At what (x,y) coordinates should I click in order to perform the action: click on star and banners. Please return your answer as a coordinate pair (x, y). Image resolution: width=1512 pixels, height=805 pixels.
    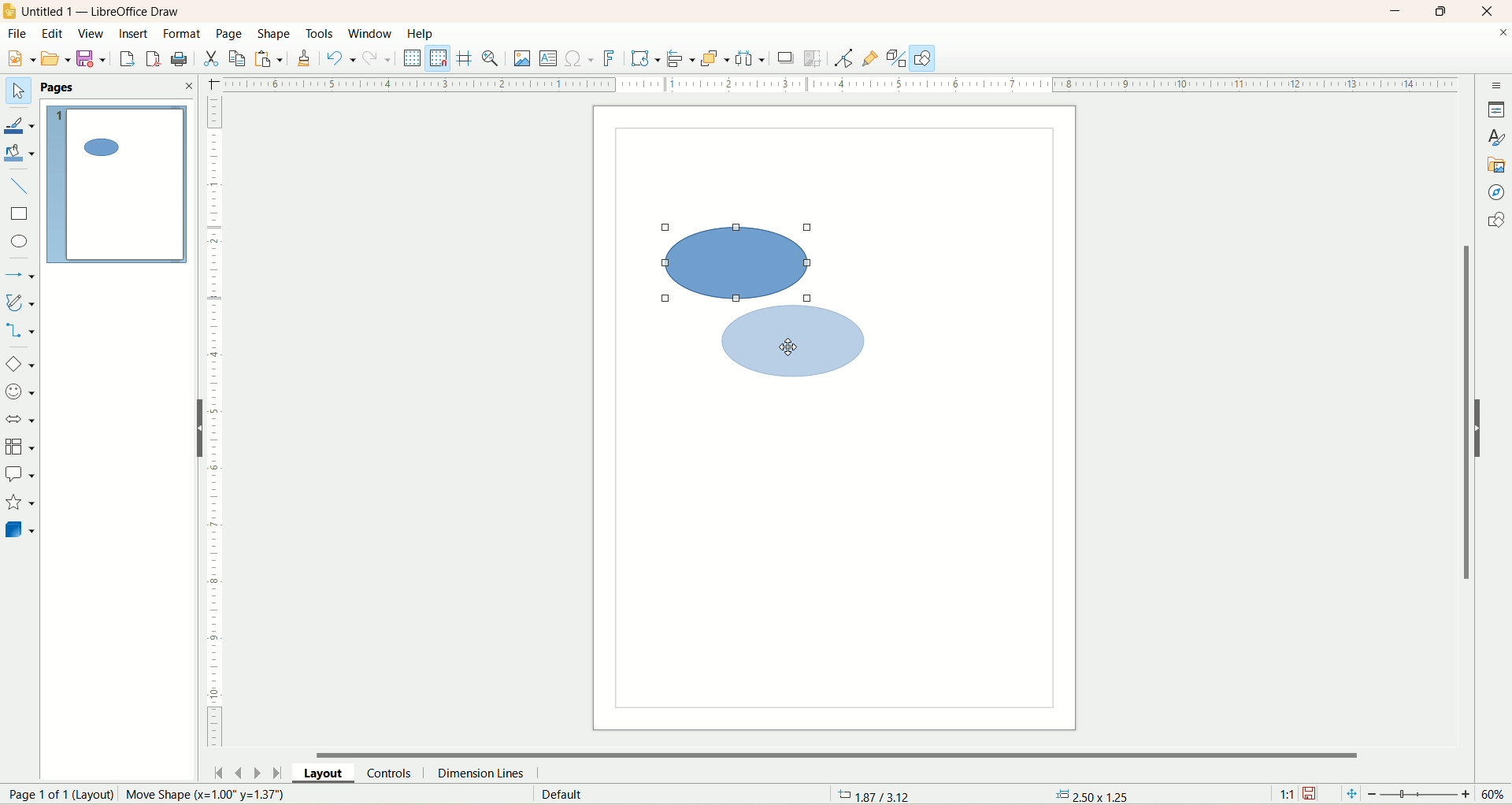
    Looking at the image, I should click on (19, 502).